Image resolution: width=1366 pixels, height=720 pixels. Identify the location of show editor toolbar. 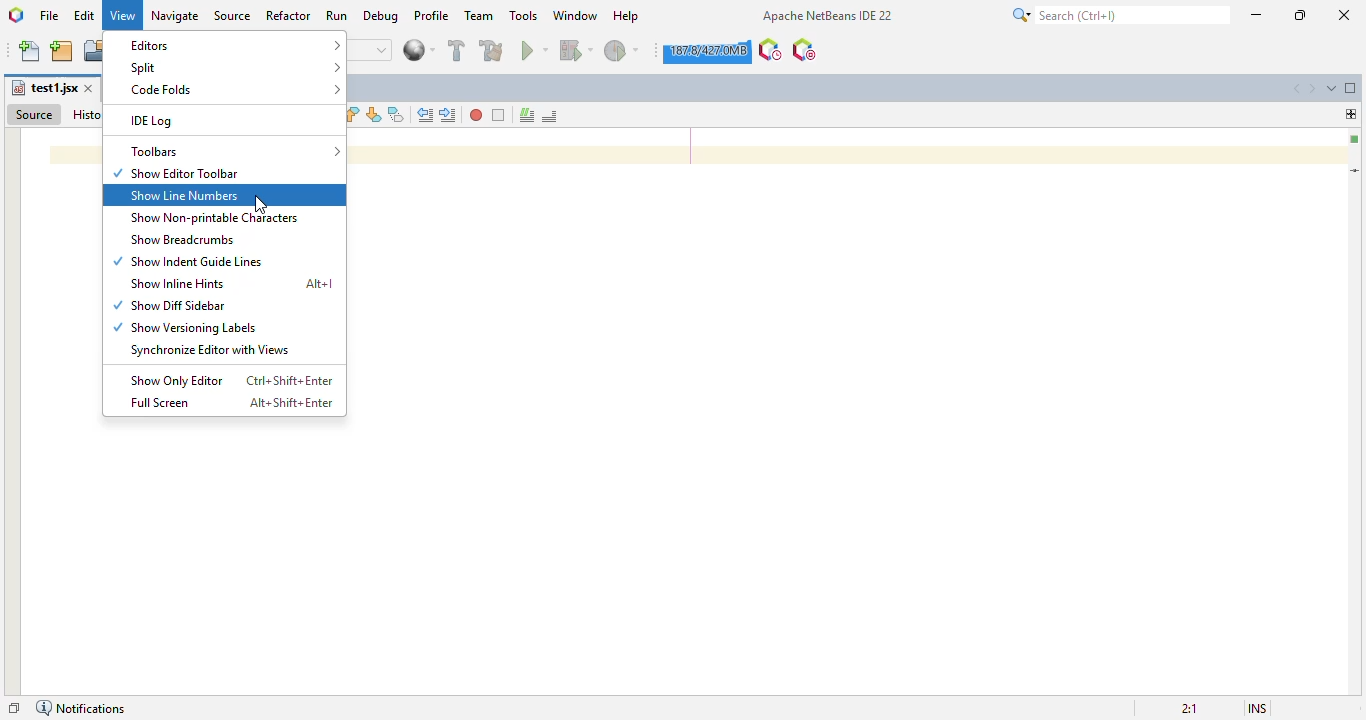
(177, 174).